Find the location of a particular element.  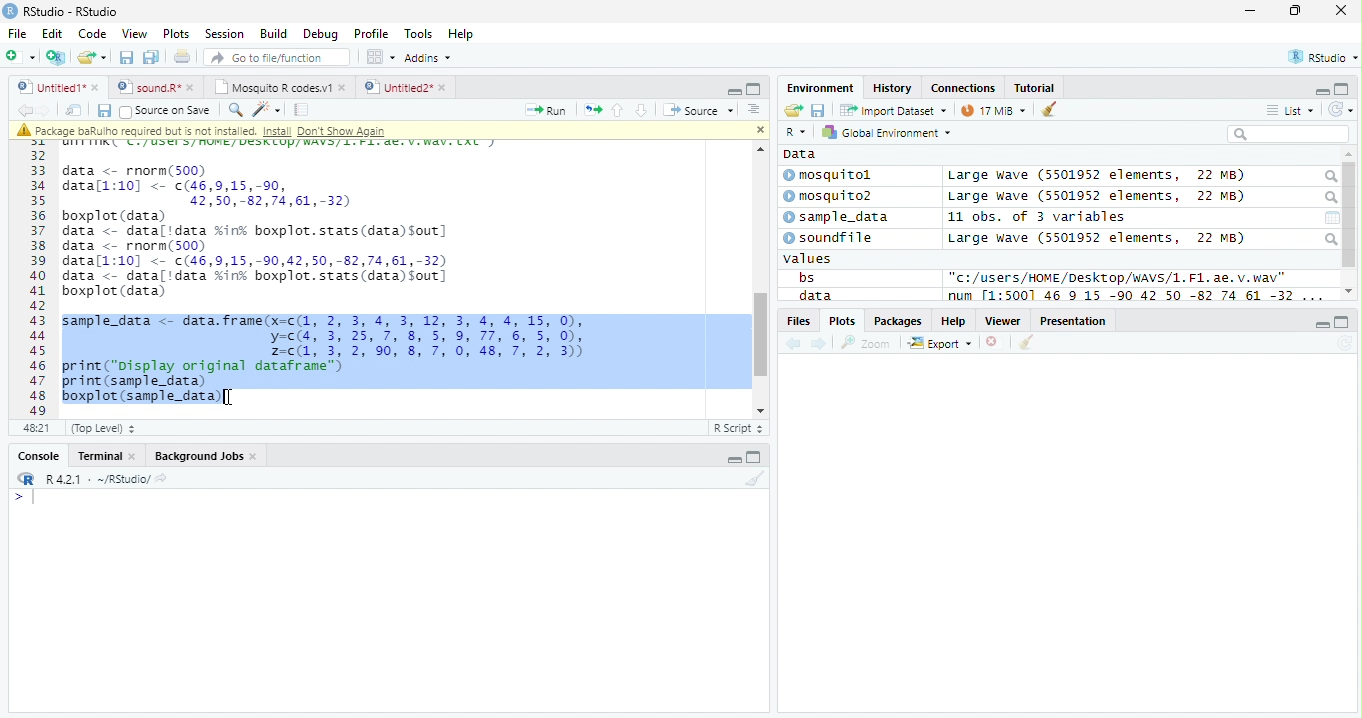

Go to next session is located at coordinates (642, 111).